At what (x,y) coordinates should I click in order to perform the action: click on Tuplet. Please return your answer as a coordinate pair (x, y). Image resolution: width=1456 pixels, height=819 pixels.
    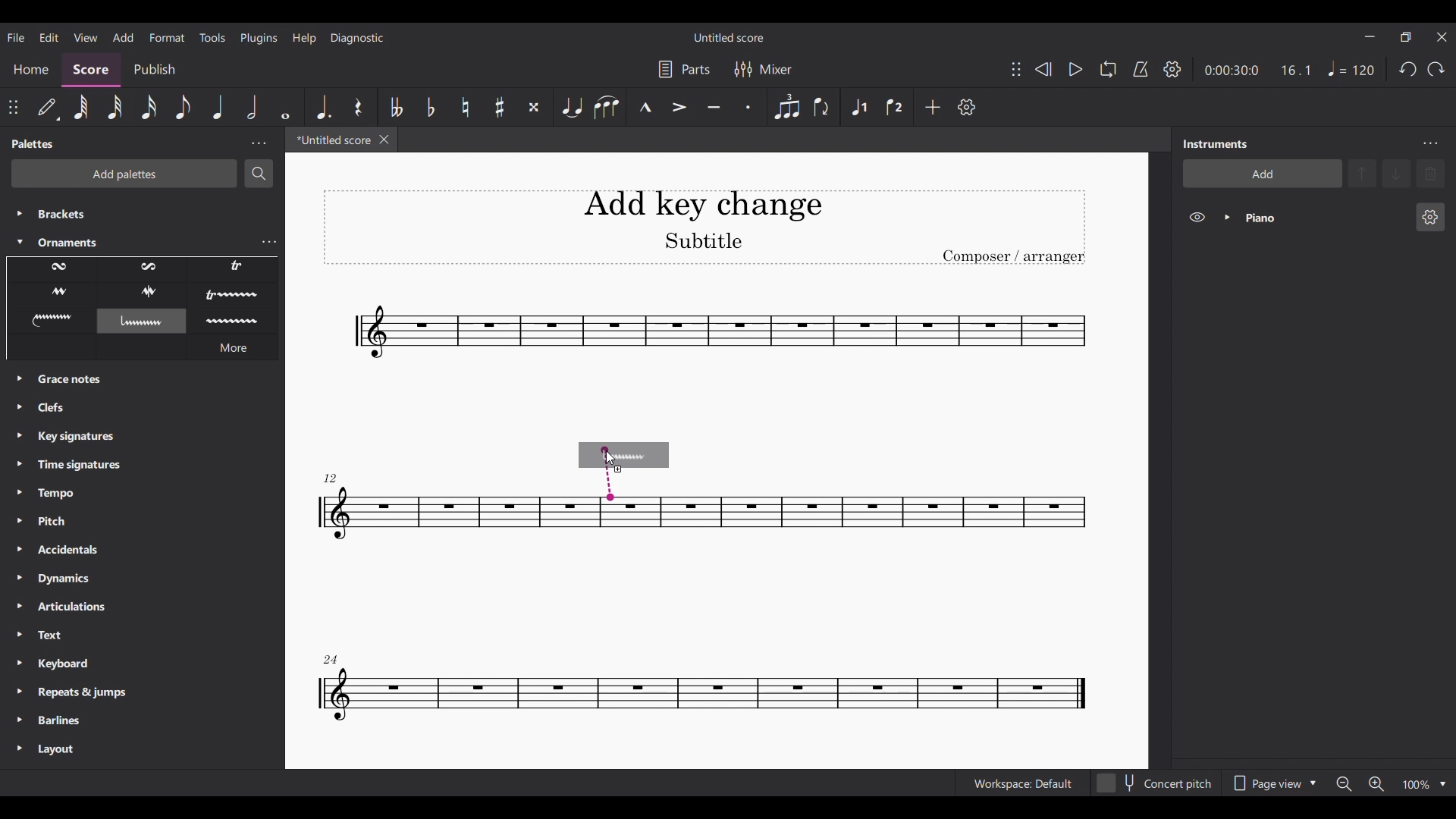
    Looking at the image, I should click on (786, 107).